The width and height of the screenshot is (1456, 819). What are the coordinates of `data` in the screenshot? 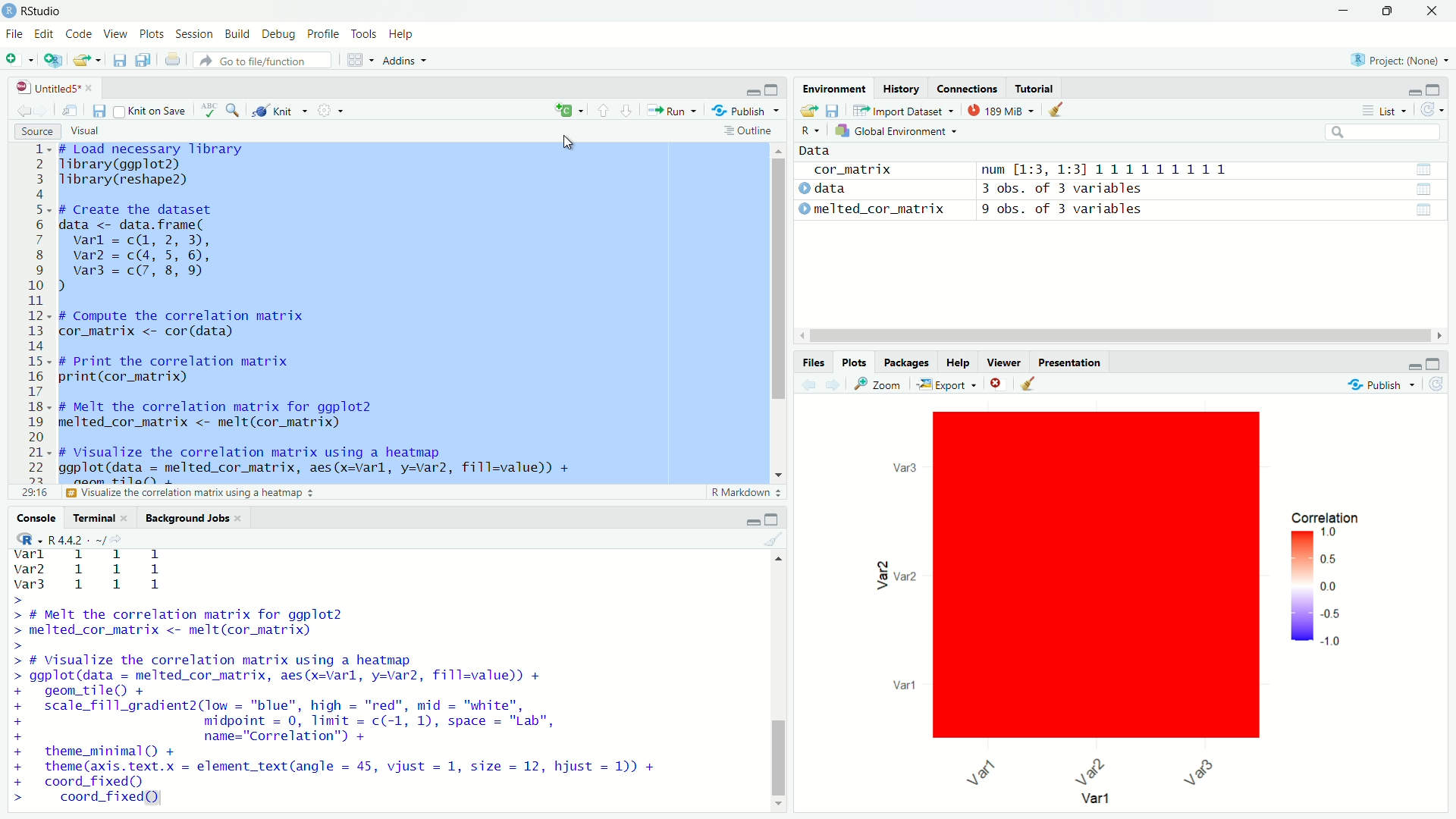 It's located at (824, 150).